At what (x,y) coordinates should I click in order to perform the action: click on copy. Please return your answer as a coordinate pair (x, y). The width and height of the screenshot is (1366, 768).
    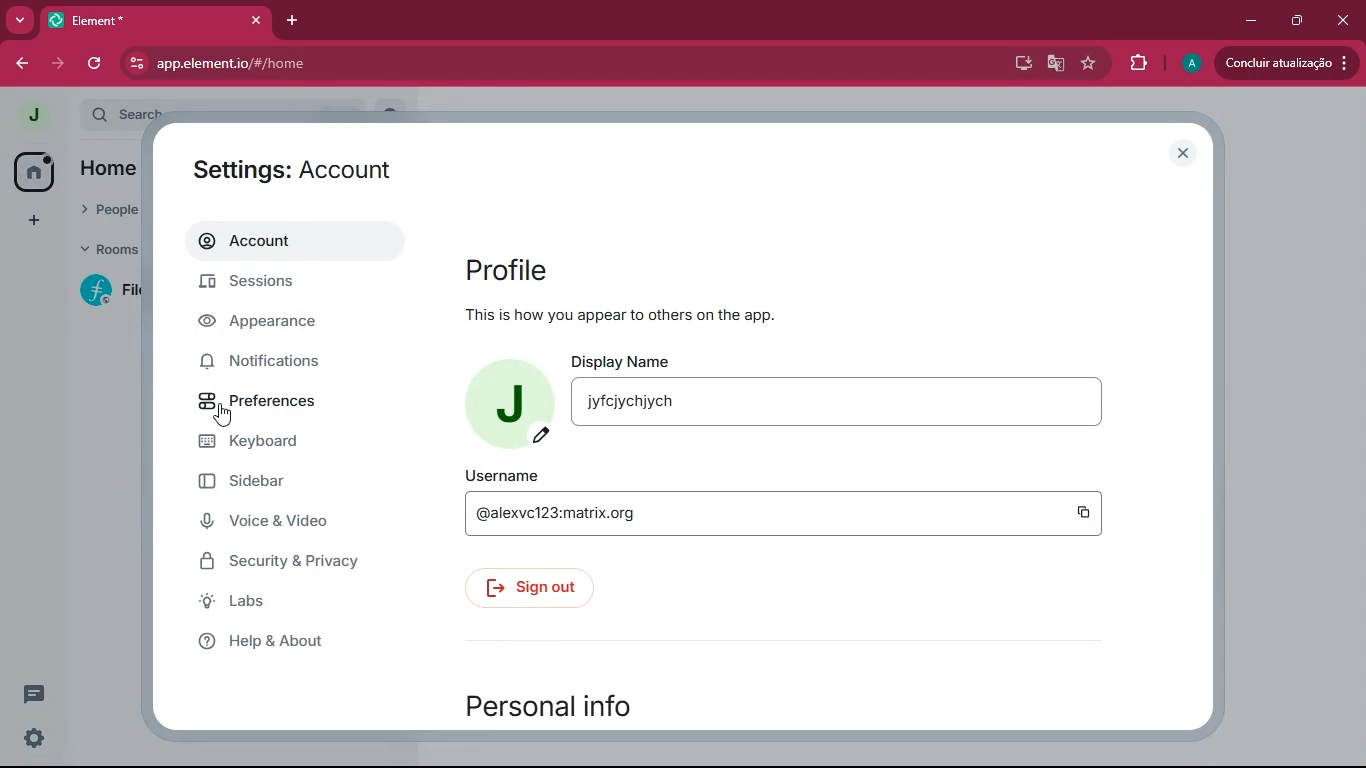
    Looking at the image, I should click on (1084, 513).